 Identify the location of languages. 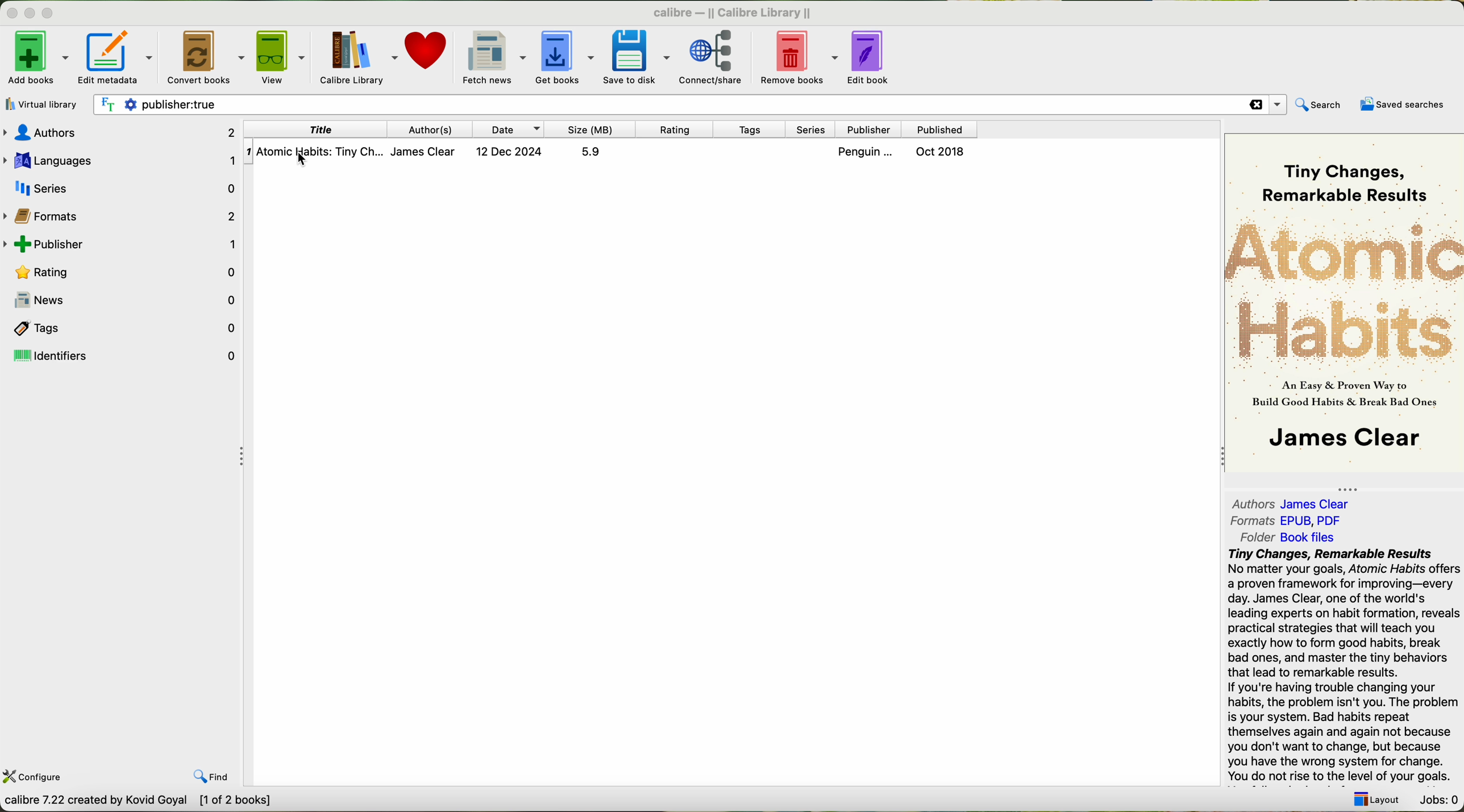
(122, 161).